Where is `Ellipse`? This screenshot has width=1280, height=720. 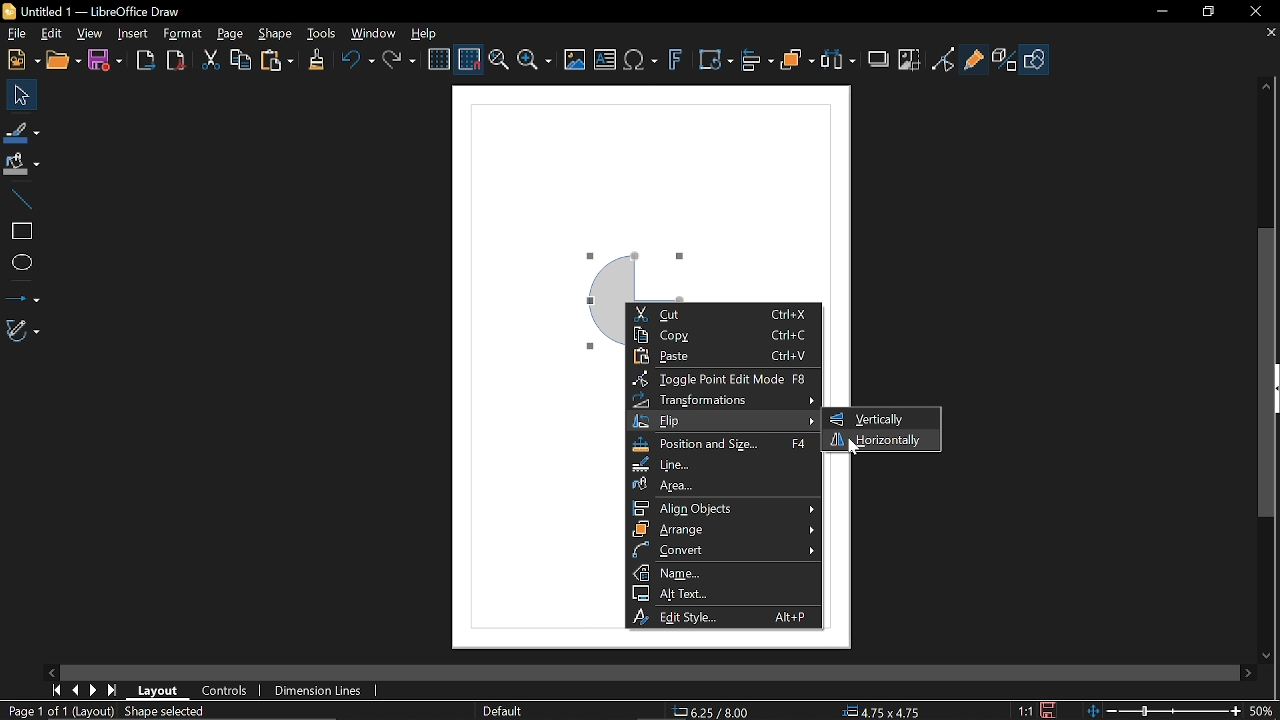
Ellipse is located at coordinates (21, 262).